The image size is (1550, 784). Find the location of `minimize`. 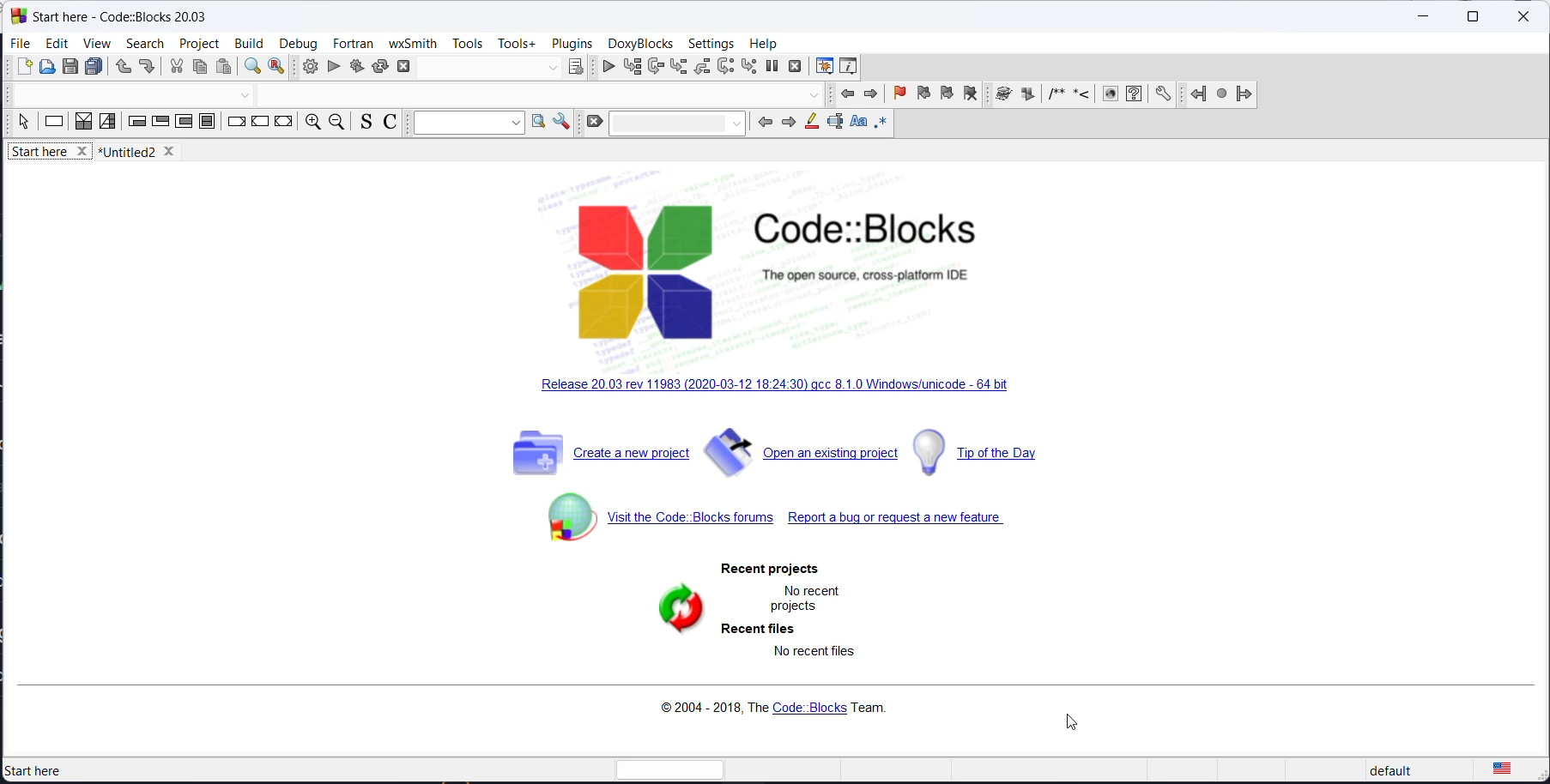

minimize is located at coordinates (1421, 19).